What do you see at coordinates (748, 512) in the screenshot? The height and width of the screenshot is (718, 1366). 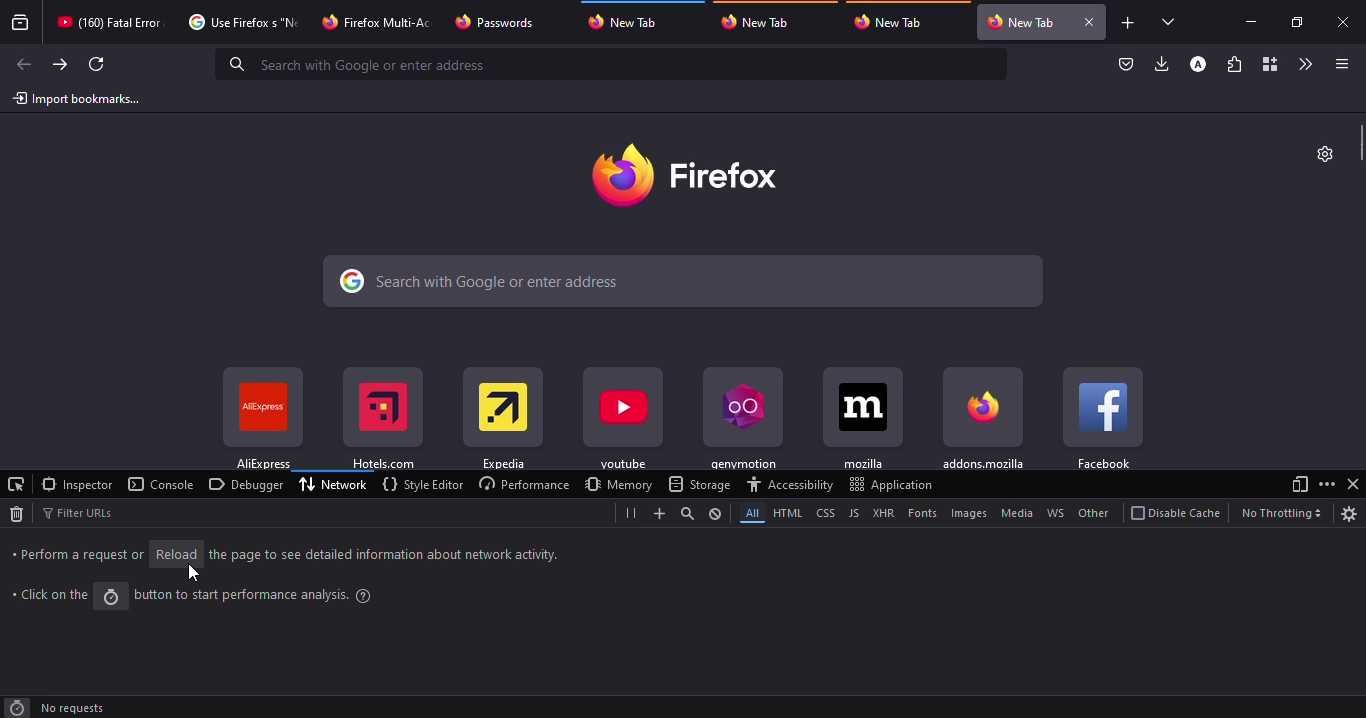 I see `all` at bounding box center [748, 512].